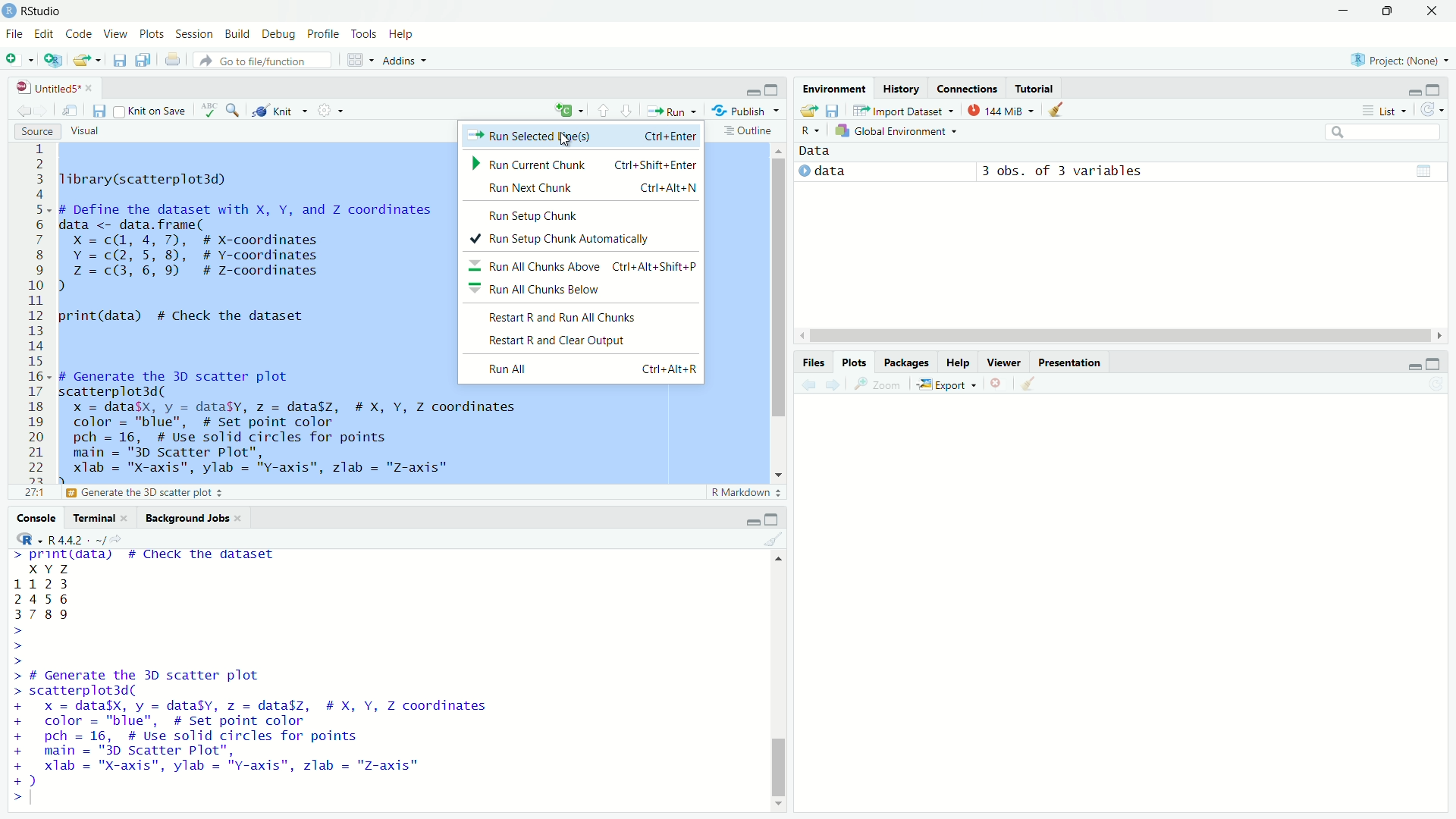 The image size is (1456, 819). What do you see at coordinates (781, 472) in the screenshot?
I see `move down` at bounding box center [781, 472].